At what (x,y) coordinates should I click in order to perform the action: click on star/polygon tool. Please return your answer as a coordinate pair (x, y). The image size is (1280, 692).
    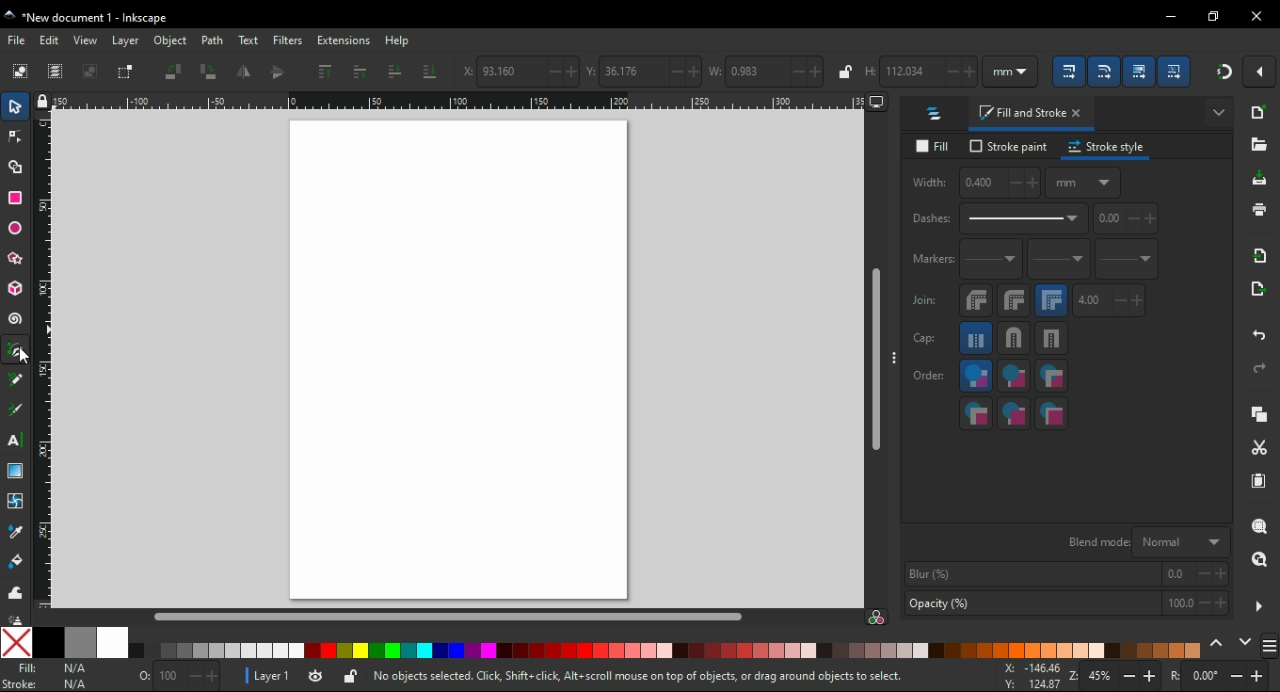
    Looking at the image, I should click on (17, 258).